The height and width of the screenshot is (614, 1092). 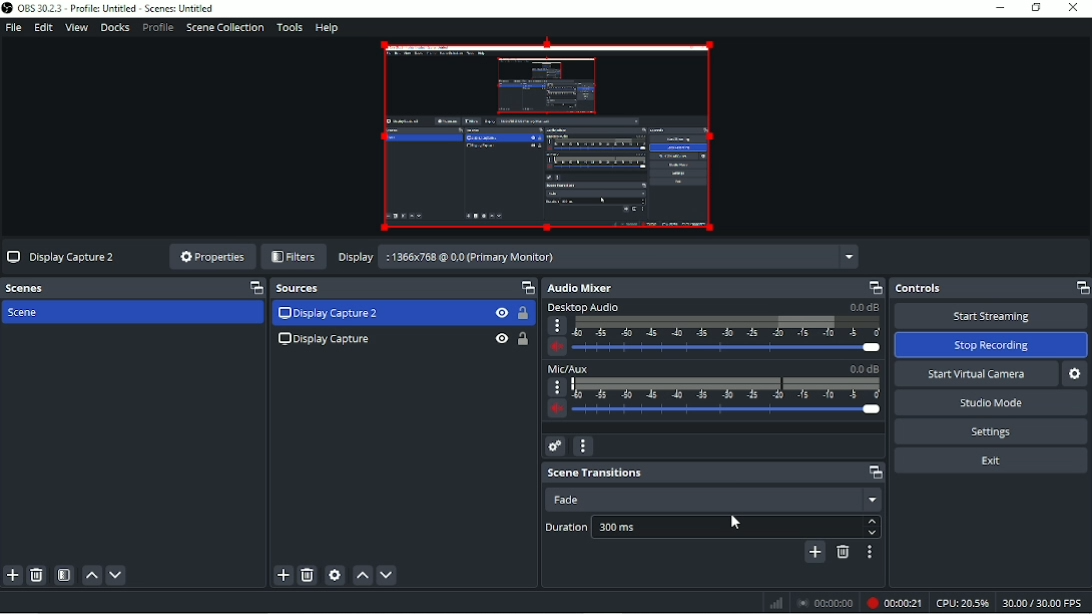 What do you see at coordinates (990, 288) in the screenshot?
I see `Controls` at bounding box center [990, 288].